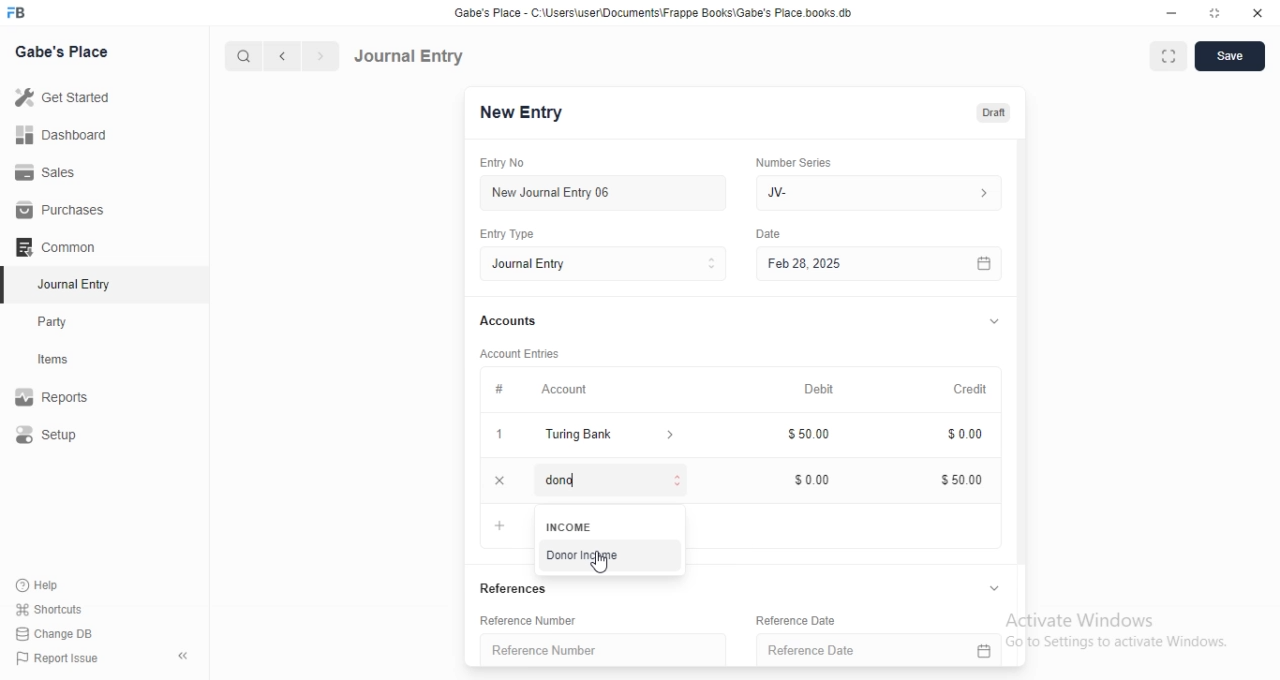 The image size is (1280, 680). Describe the element at coordinates (1172, 57) in the screenshot. I see `full screen` at that location.